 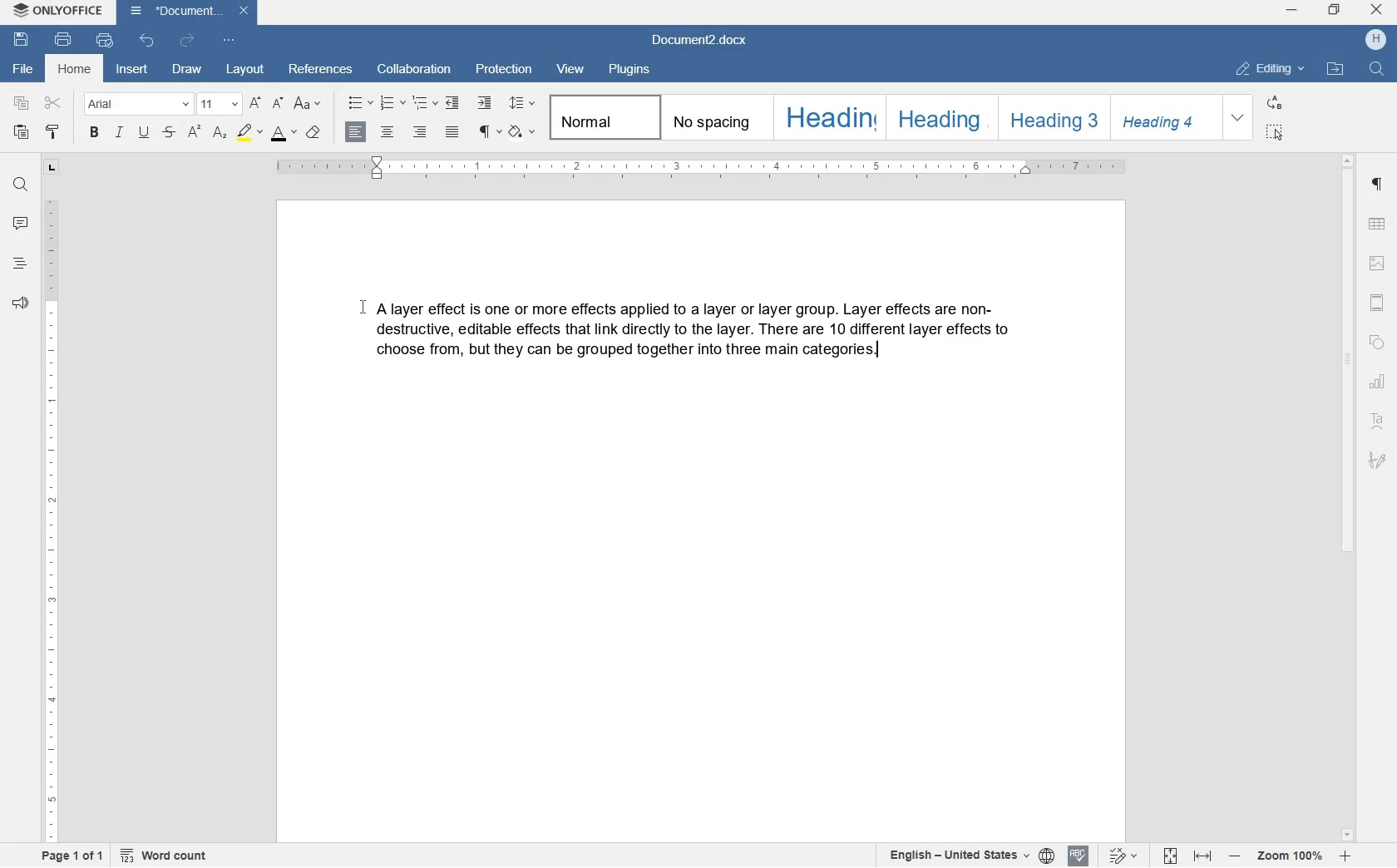 I want to click on restore, so click(x=1337, y=9).